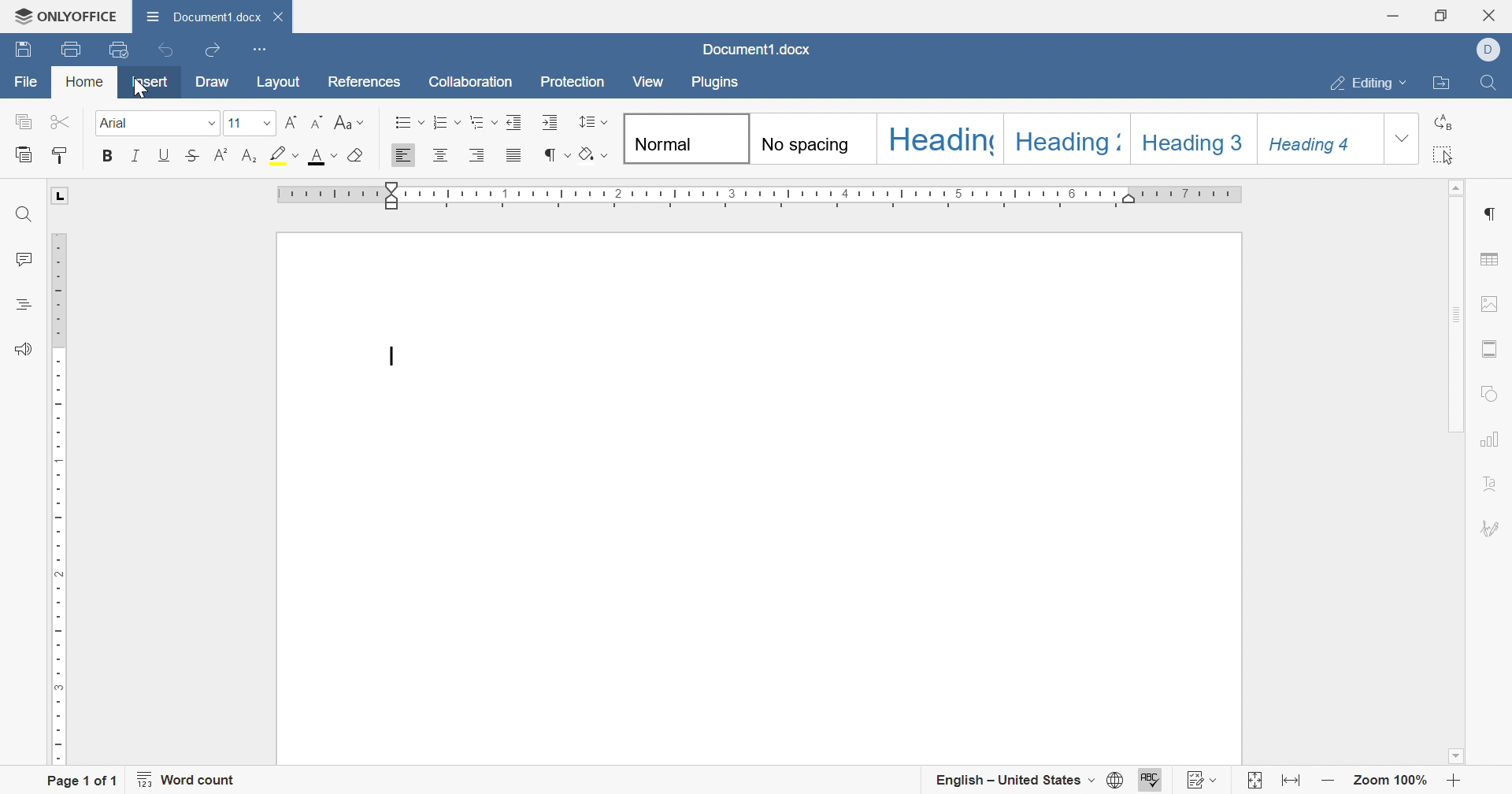  Describe the element at coordinates (61, 499) in the screenshot. I see `Ruler` at that location.